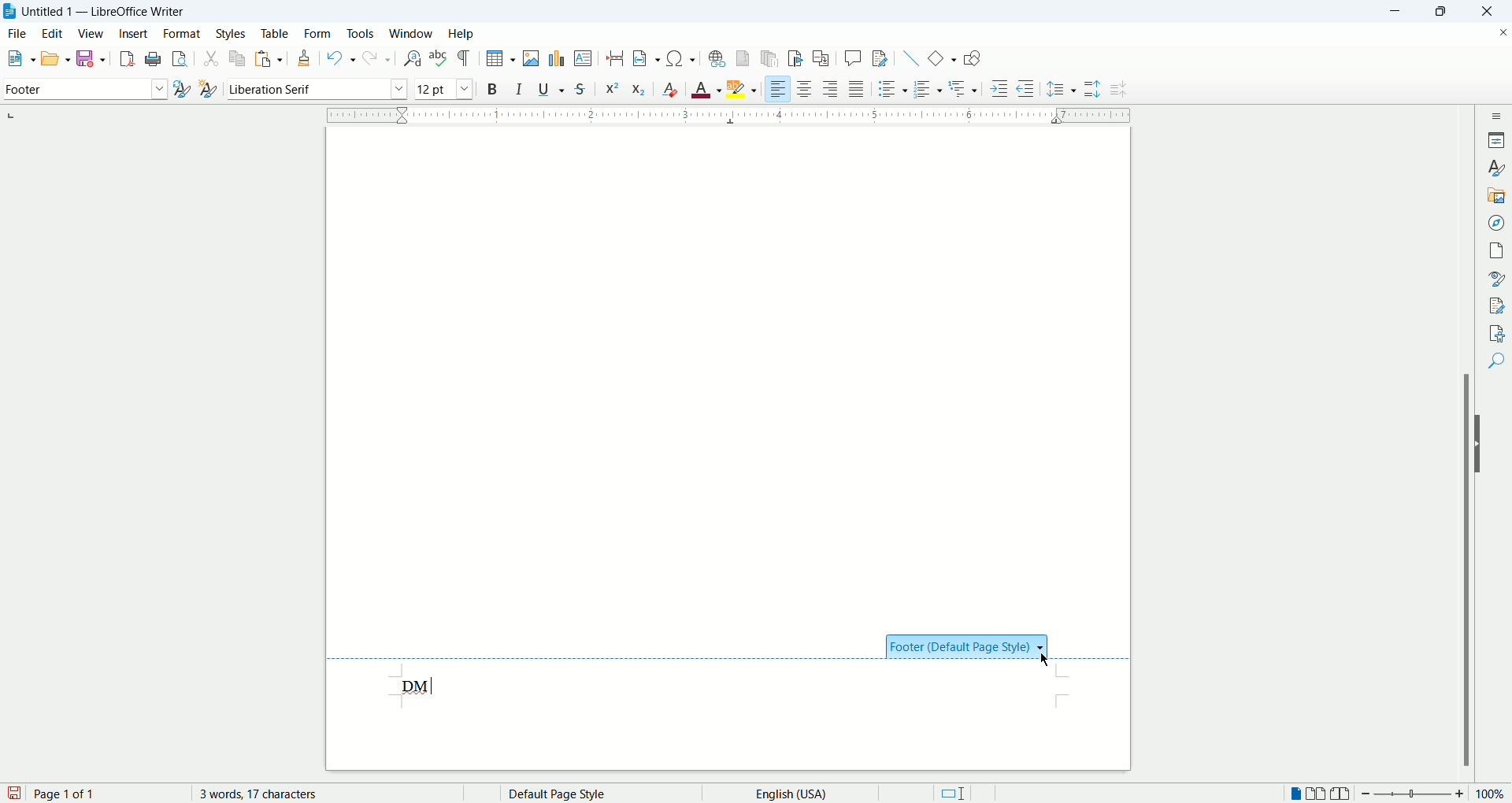 The width and height of the screenshot is (1512, 803). Describe the element at coordinates (717, 58) in the screenshot. I see `hyperlink` at that location.